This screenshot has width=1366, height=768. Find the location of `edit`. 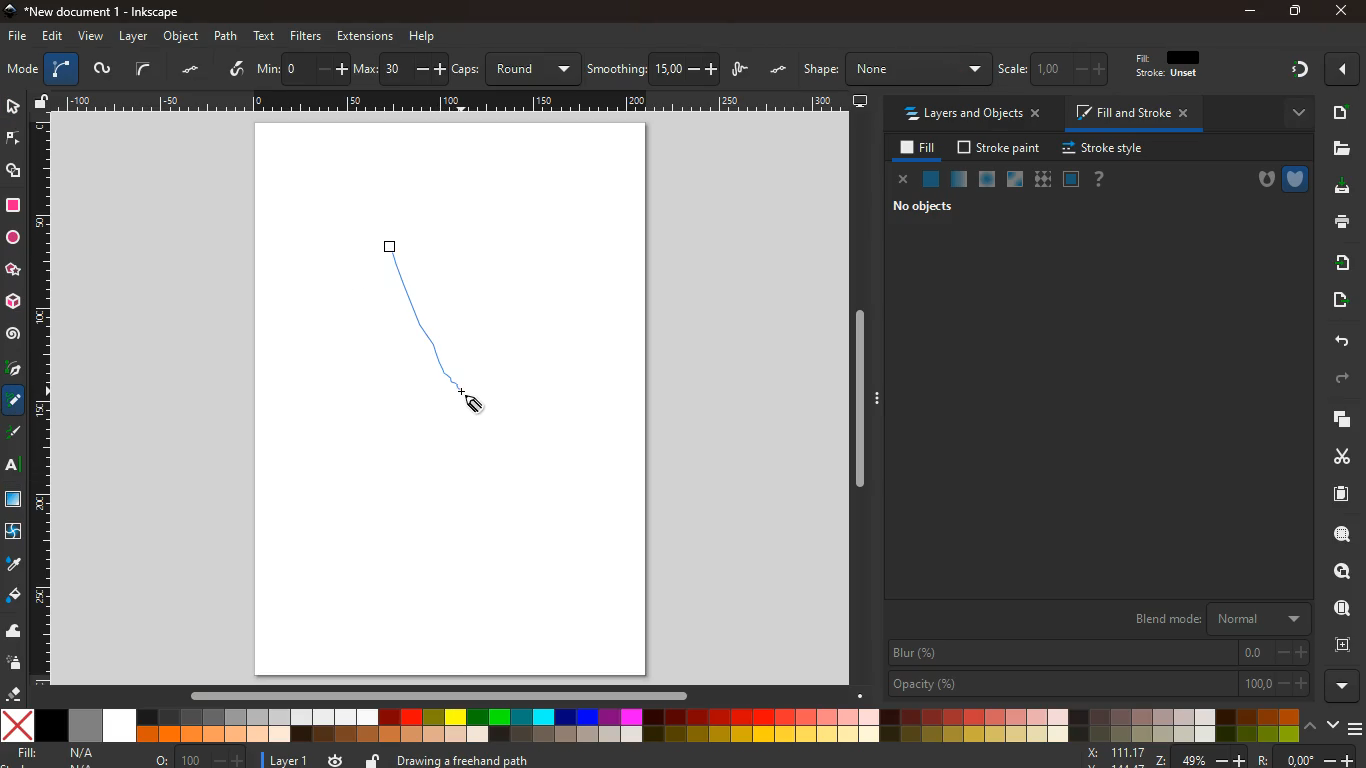

edit is located at coordinates (54, 36).